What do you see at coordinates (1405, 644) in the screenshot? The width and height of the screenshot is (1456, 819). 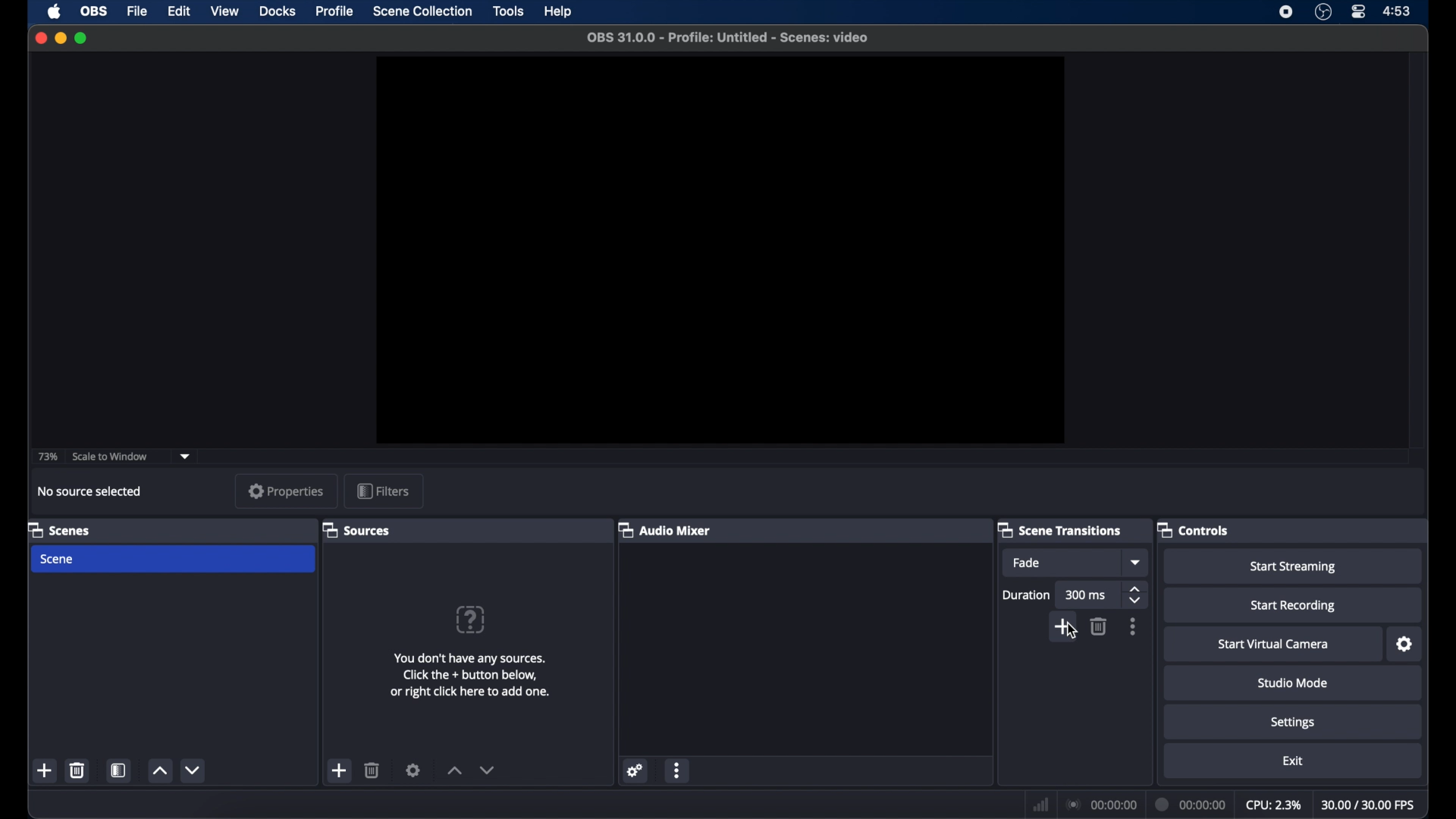 I see `settings` at bounding box center [1405, 644].